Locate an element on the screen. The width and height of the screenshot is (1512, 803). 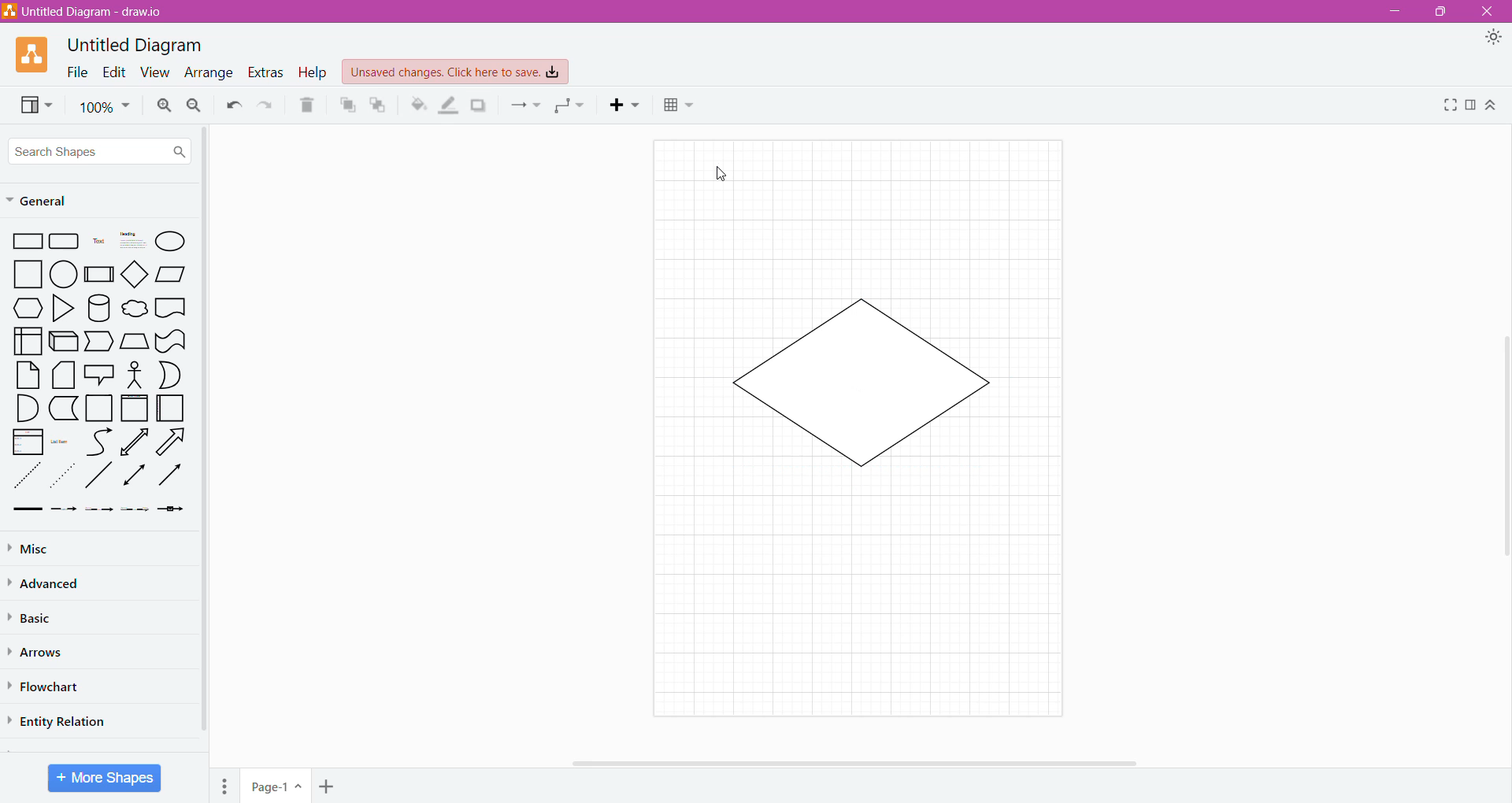
Line Color is located at coordinates (449, 105).